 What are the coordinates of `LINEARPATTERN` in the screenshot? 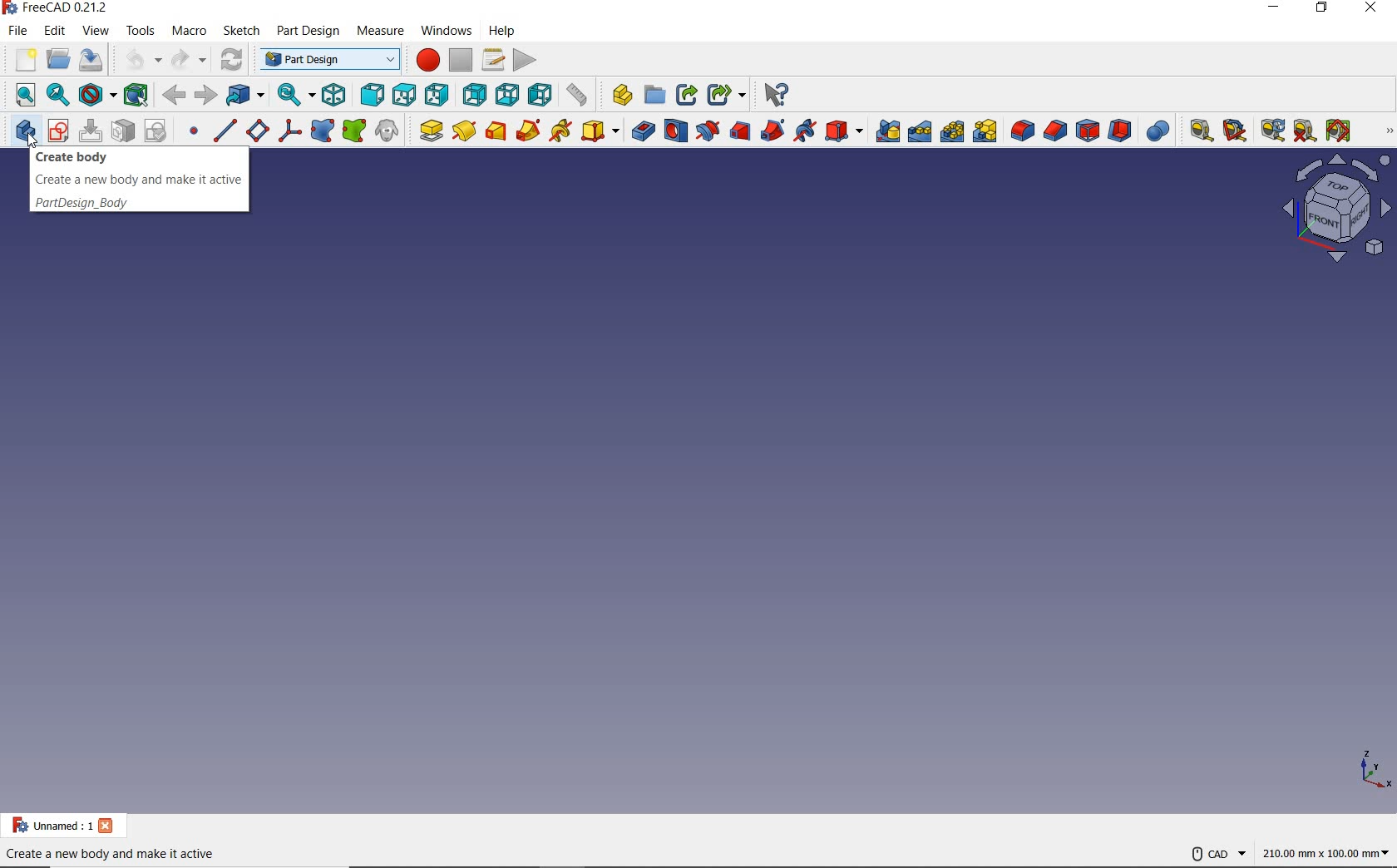 It's located at (920, 130).